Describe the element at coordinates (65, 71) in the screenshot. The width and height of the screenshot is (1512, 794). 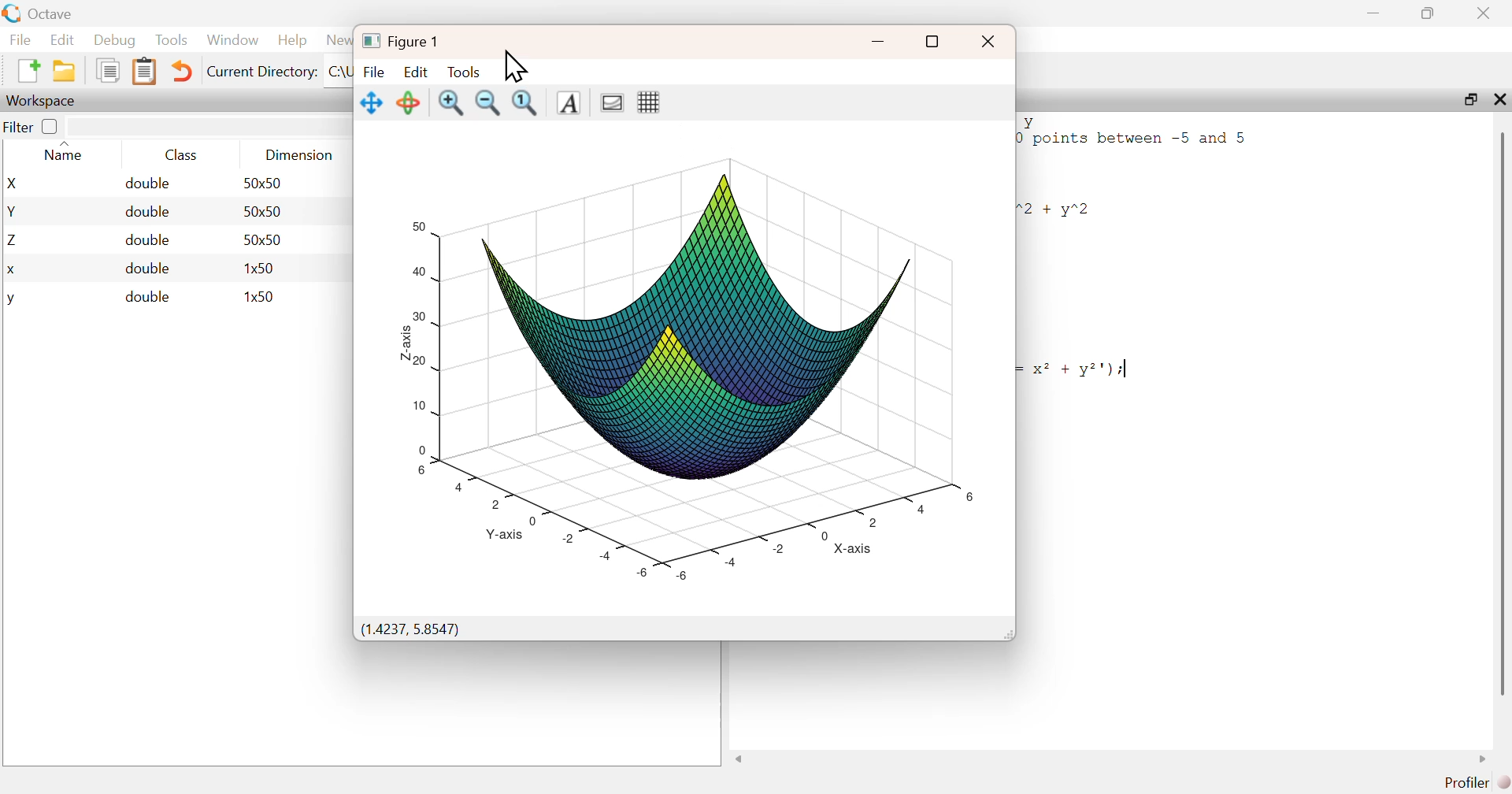
I see `New Folder` at that location.